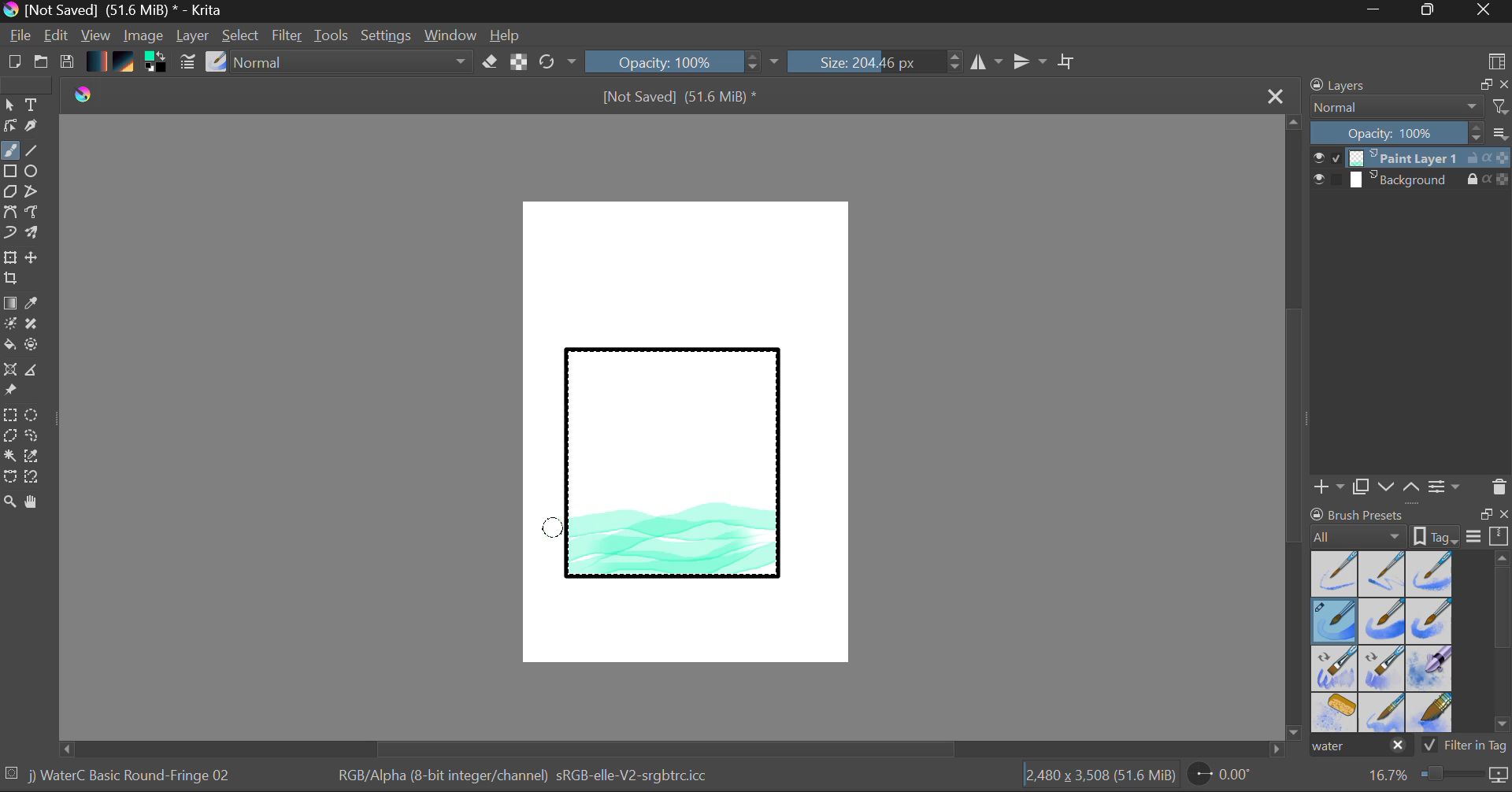  I want to click on Water C - Wet, so click(1384, 574).